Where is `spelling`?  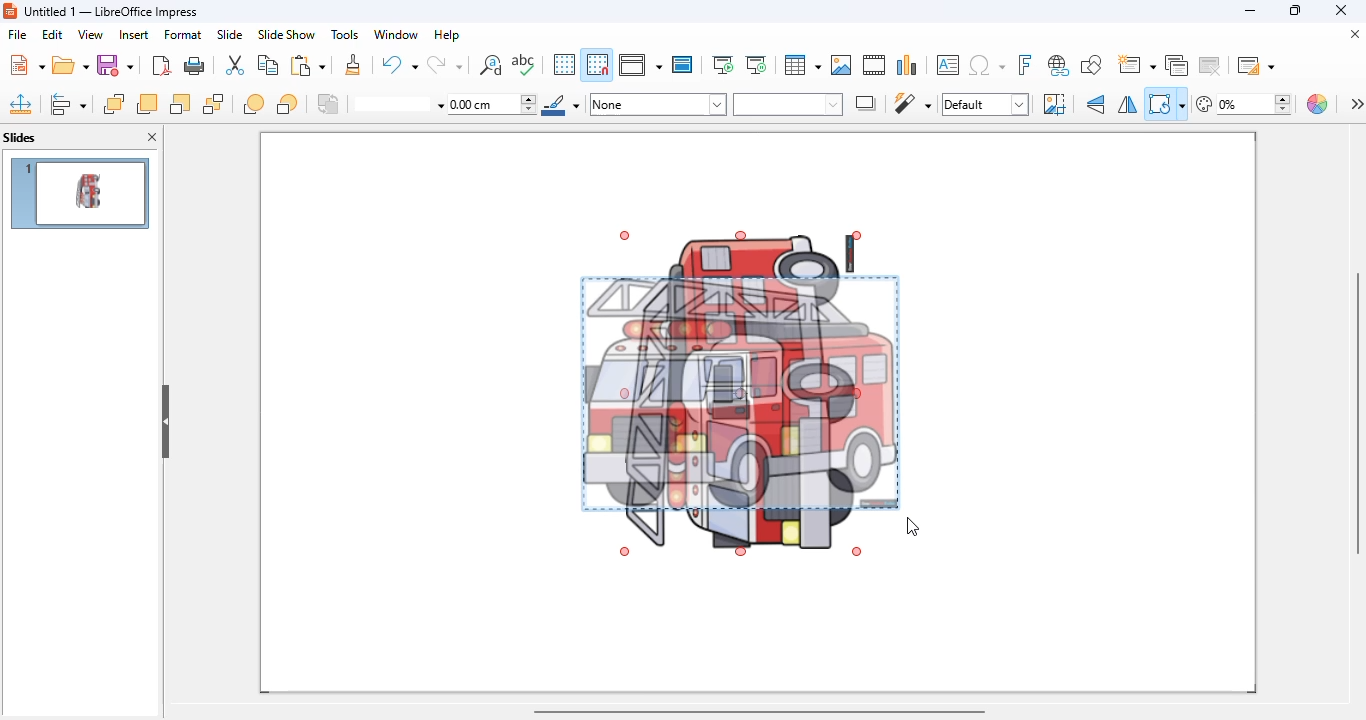 spelling is located at coordinates (524, 65).